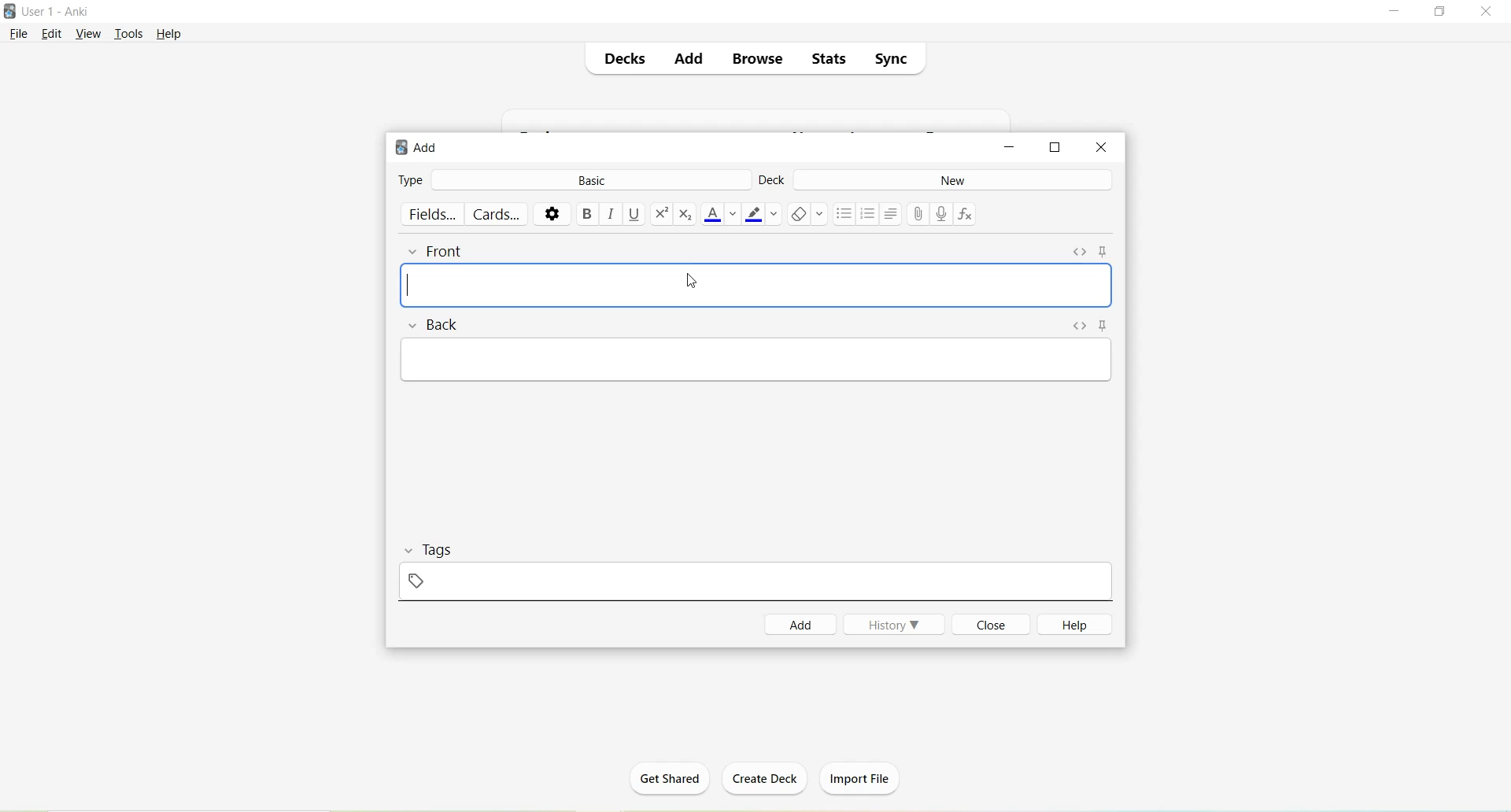 Image resolution: width=1511 pixels, height=812 pixels. Describe the element at coordinates (623, 57) in the screenshot. I see `Decks` at that location.